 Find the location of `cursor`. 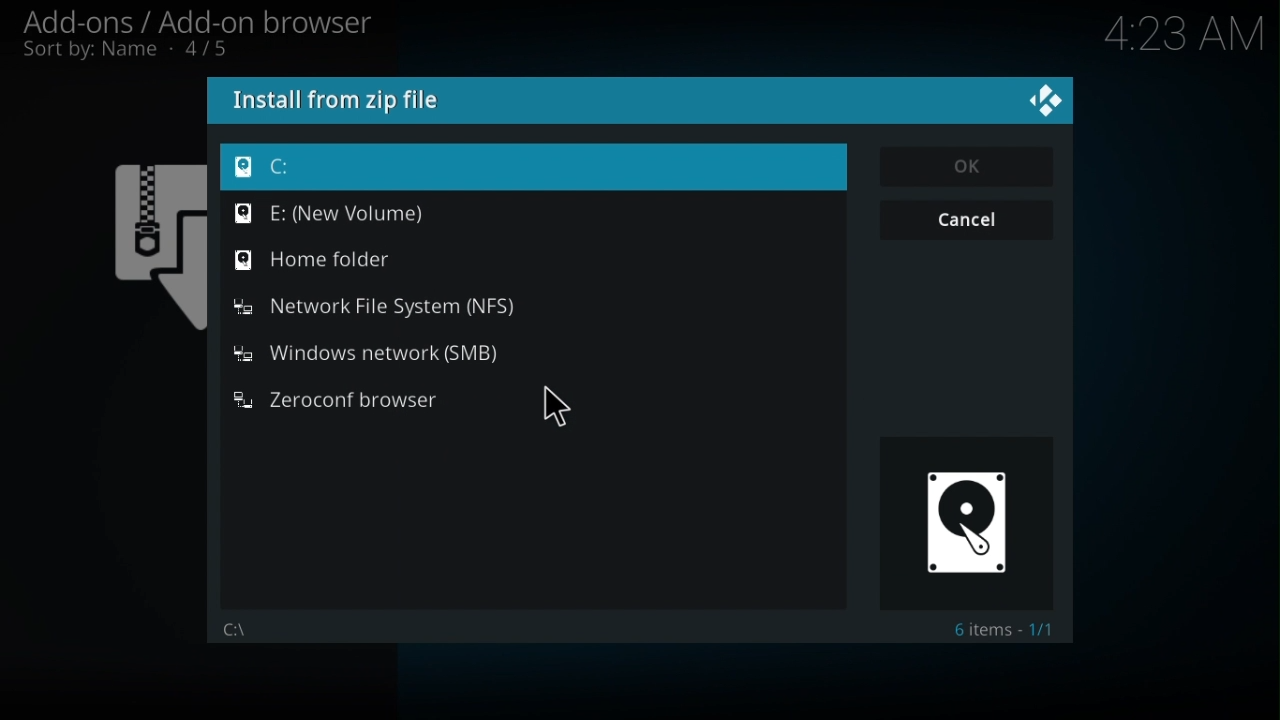

cursor is located at coordinates (553, 412).